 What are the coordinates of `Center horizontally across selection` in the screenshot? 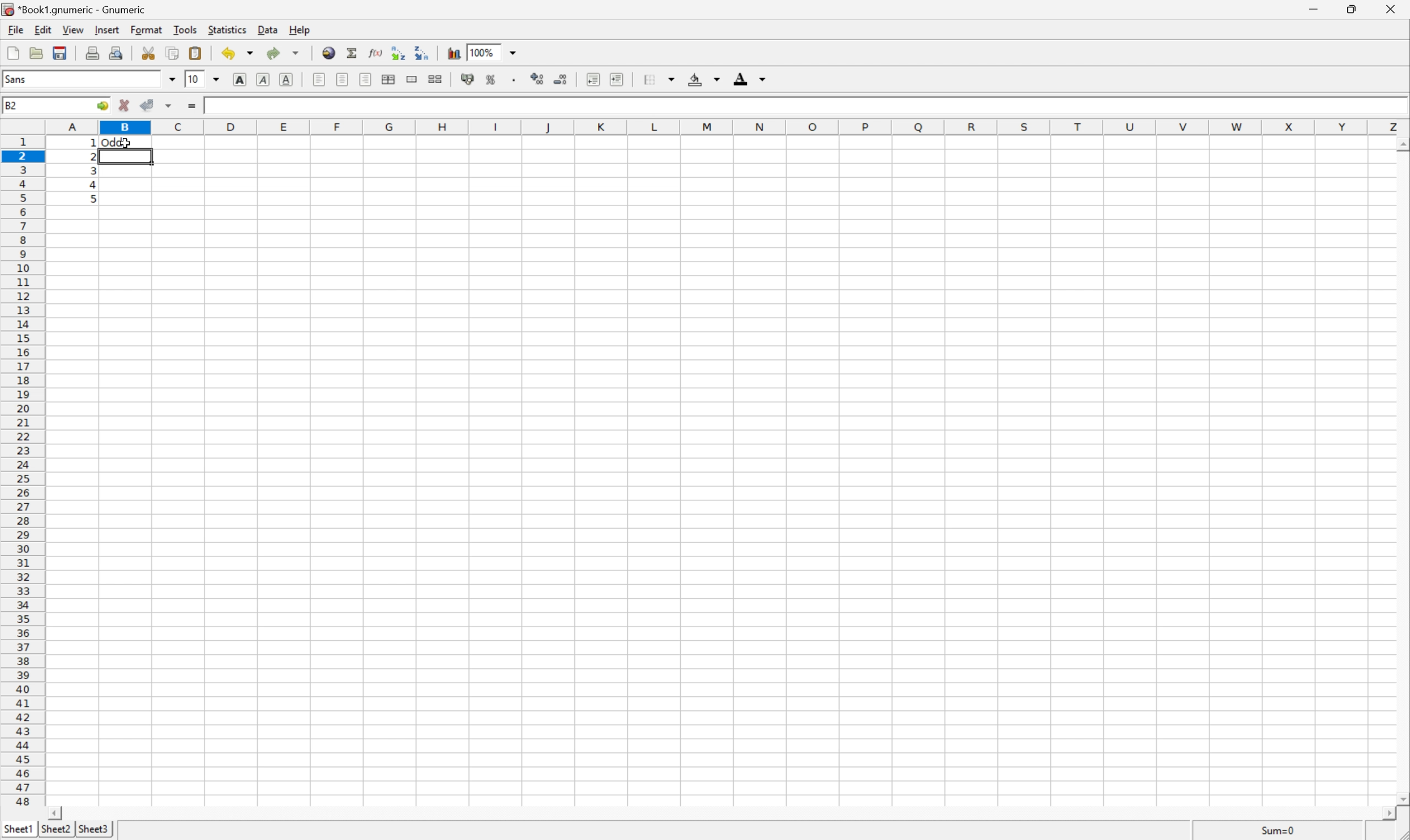 It's located at (391, 79).